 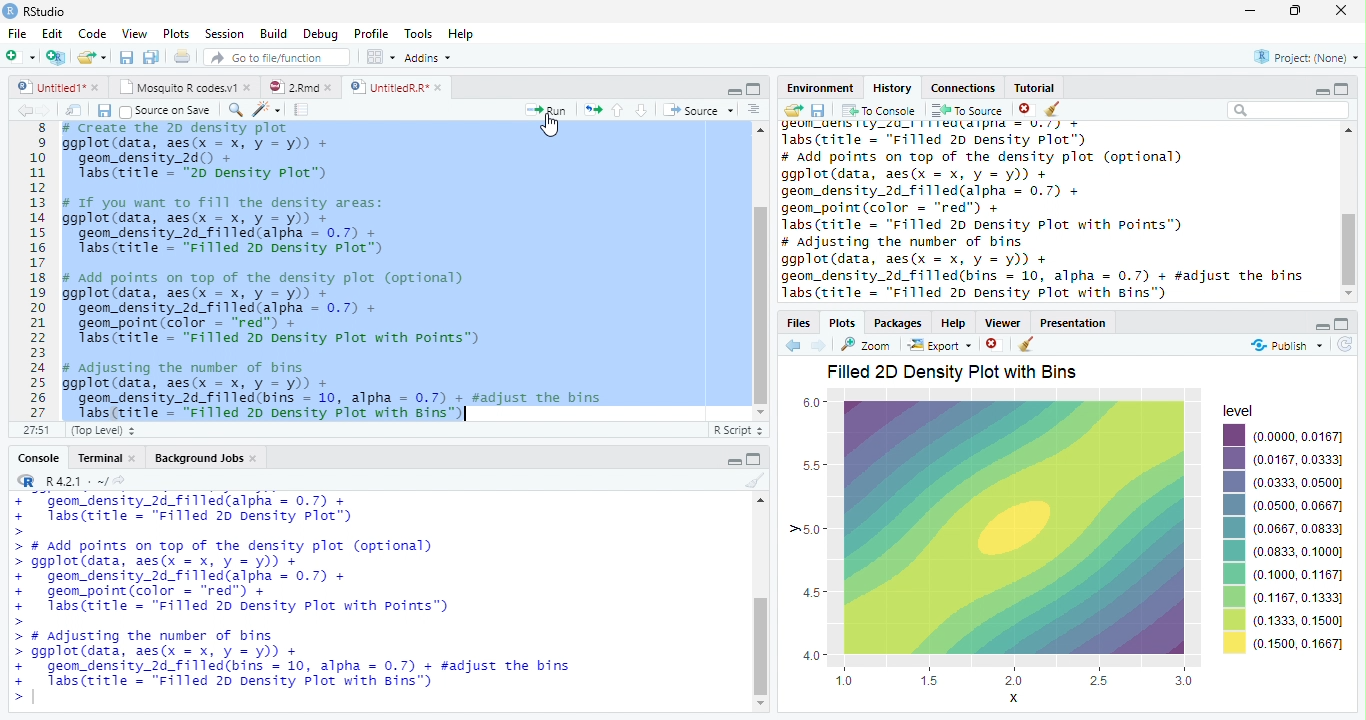 What do you see at coordinates (151, 56) in the screenshot?
I see `save all open document` at bounding box center [151, 56].